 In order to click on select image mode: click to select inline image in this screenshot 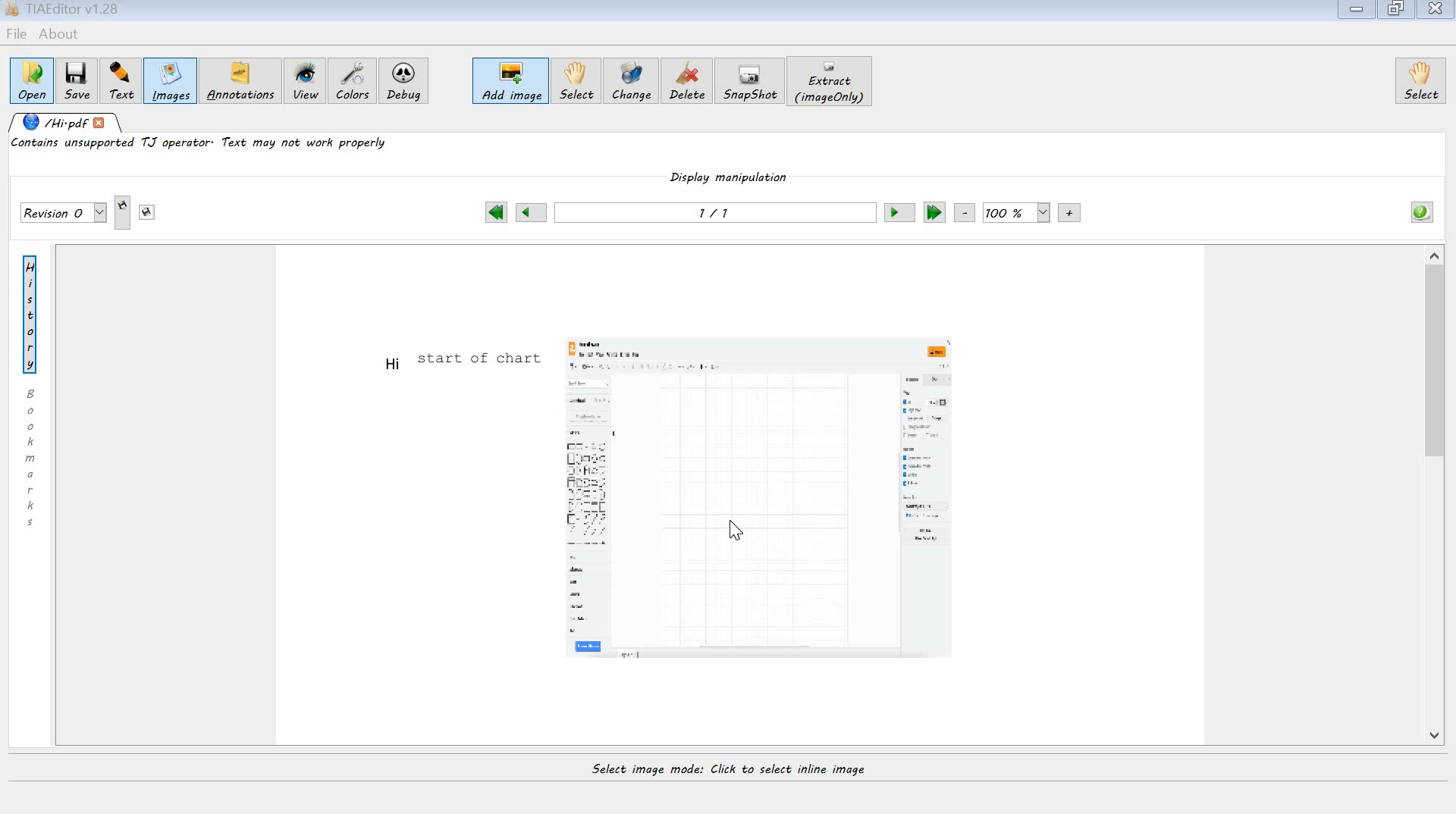, I will do `click(733, 775)`.